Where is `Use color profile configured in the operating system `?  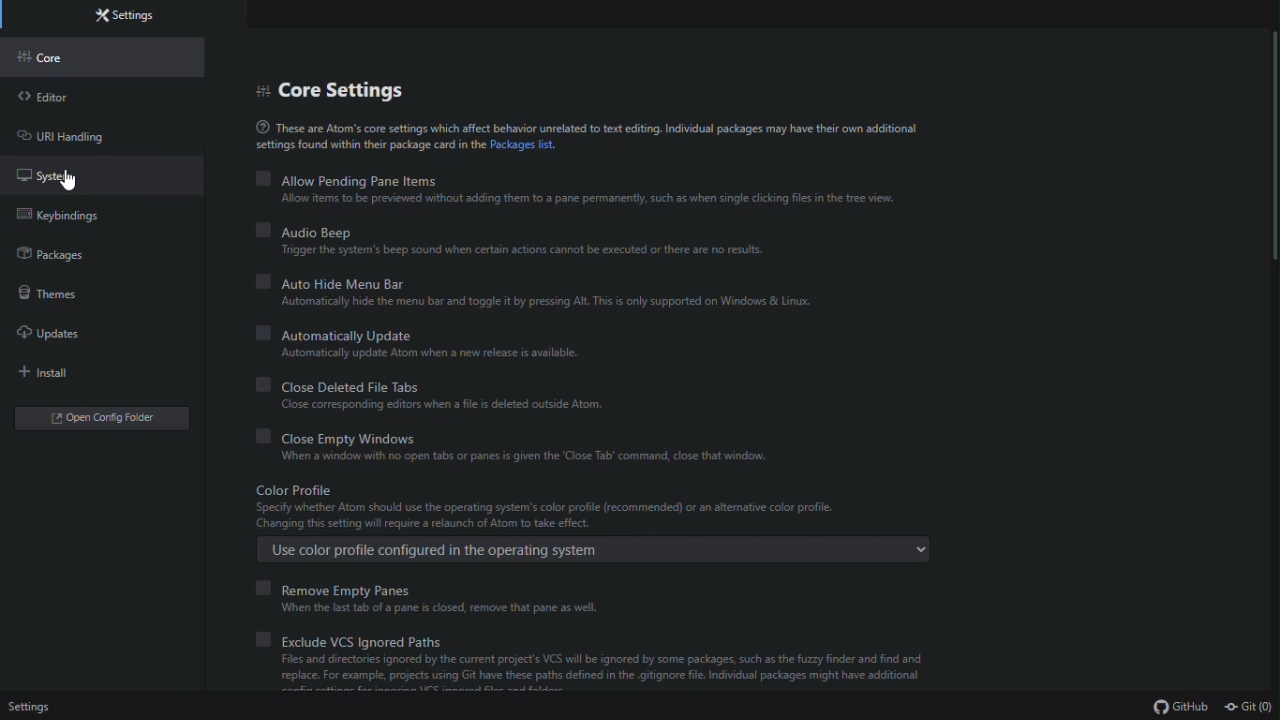 Use color profile configured in the operating system  is located at coordinates (592, 550).